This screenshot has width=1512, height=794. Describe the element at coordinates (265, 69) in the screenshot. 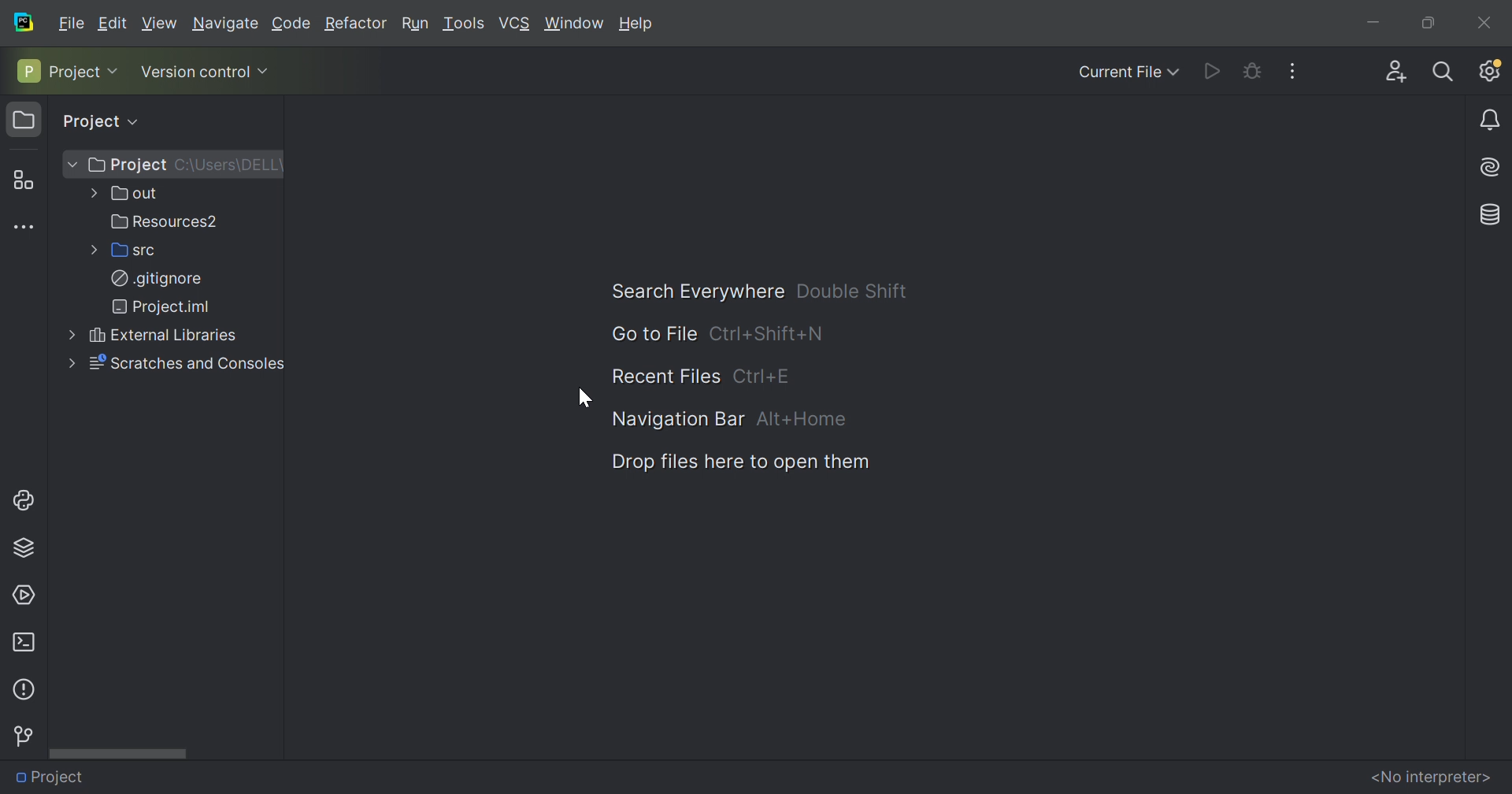

I see `Drop Down` at that location.